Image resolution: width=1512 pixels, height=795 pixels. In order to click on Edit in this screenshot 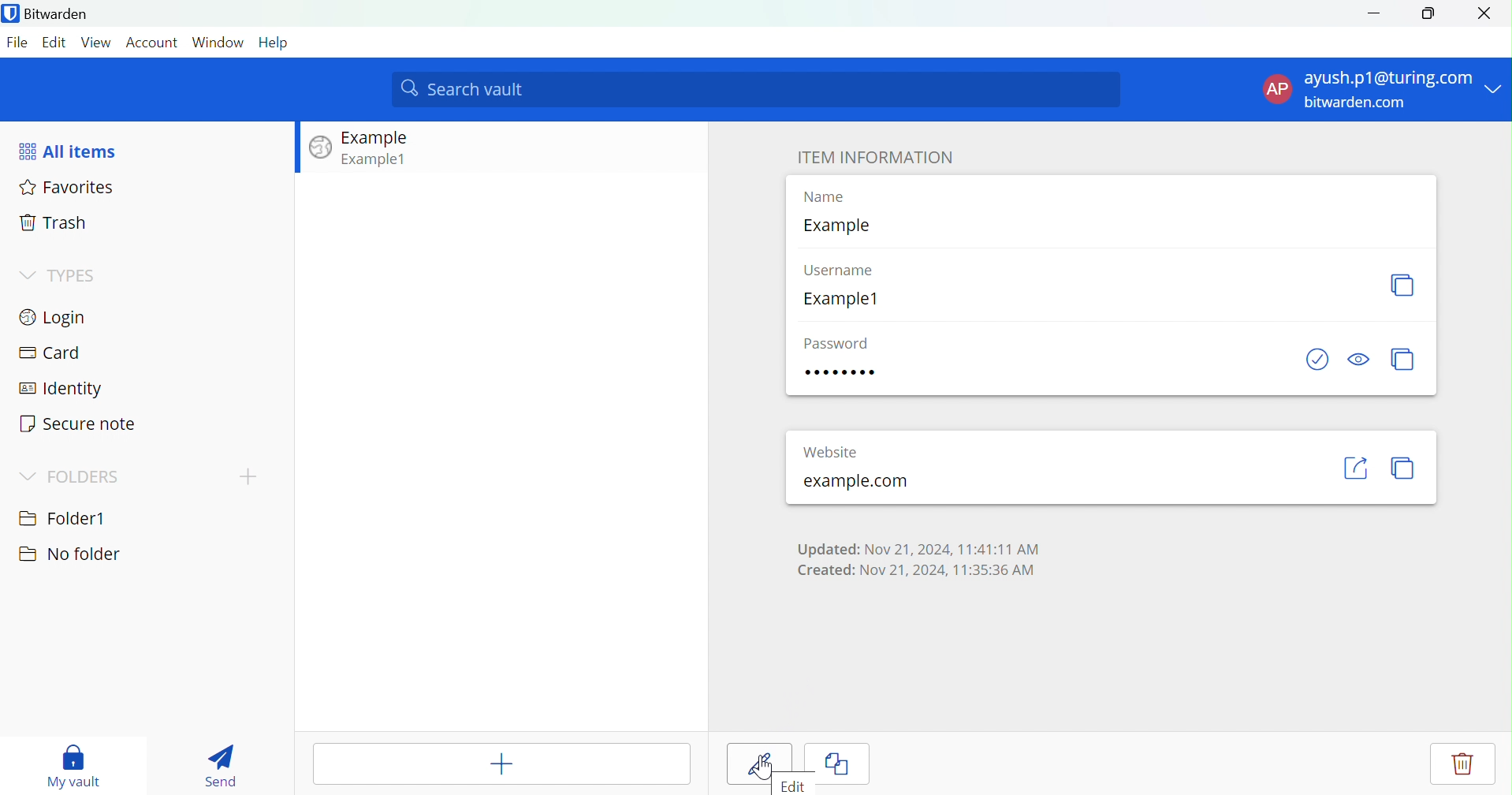, I will do `click(56, 42)`.